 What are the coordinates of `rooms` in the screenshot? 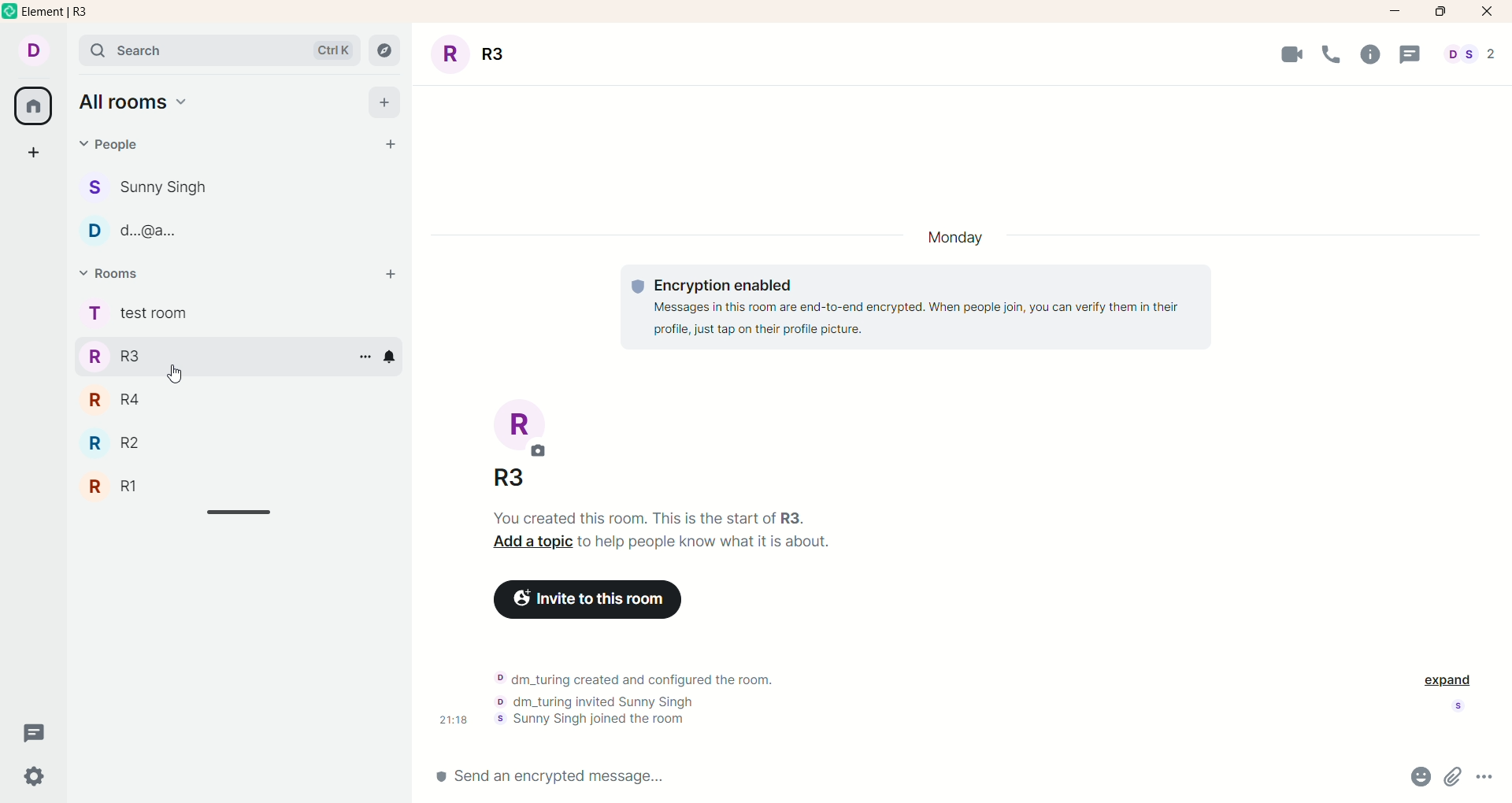 It's located at (139, 312).